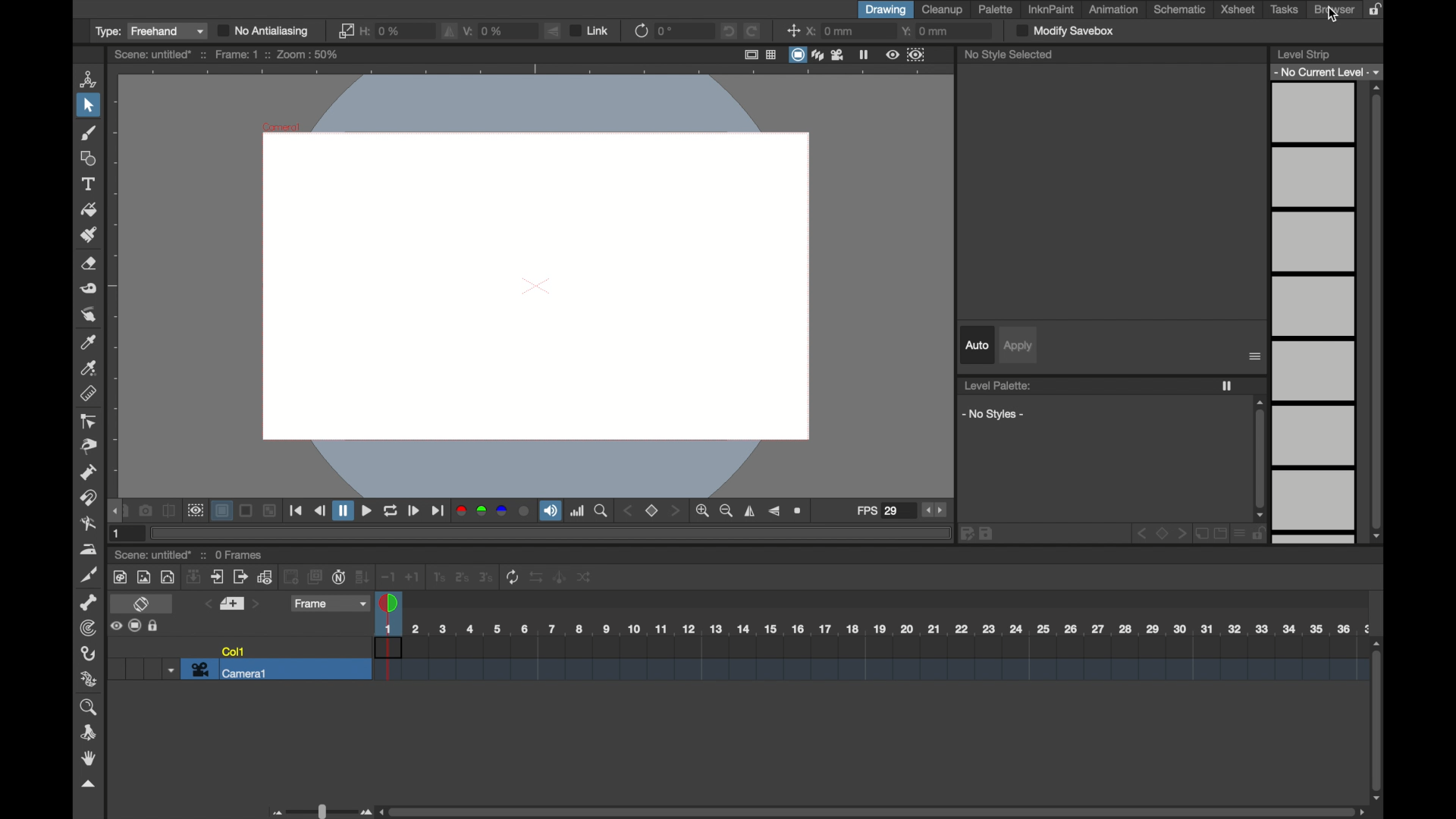 Image resolution: width=1456 pixels, height=819 pixels. What do you see at coordinates (271, 510) in the screenshot?
I see `minimize` at bounding box center [271, 510].